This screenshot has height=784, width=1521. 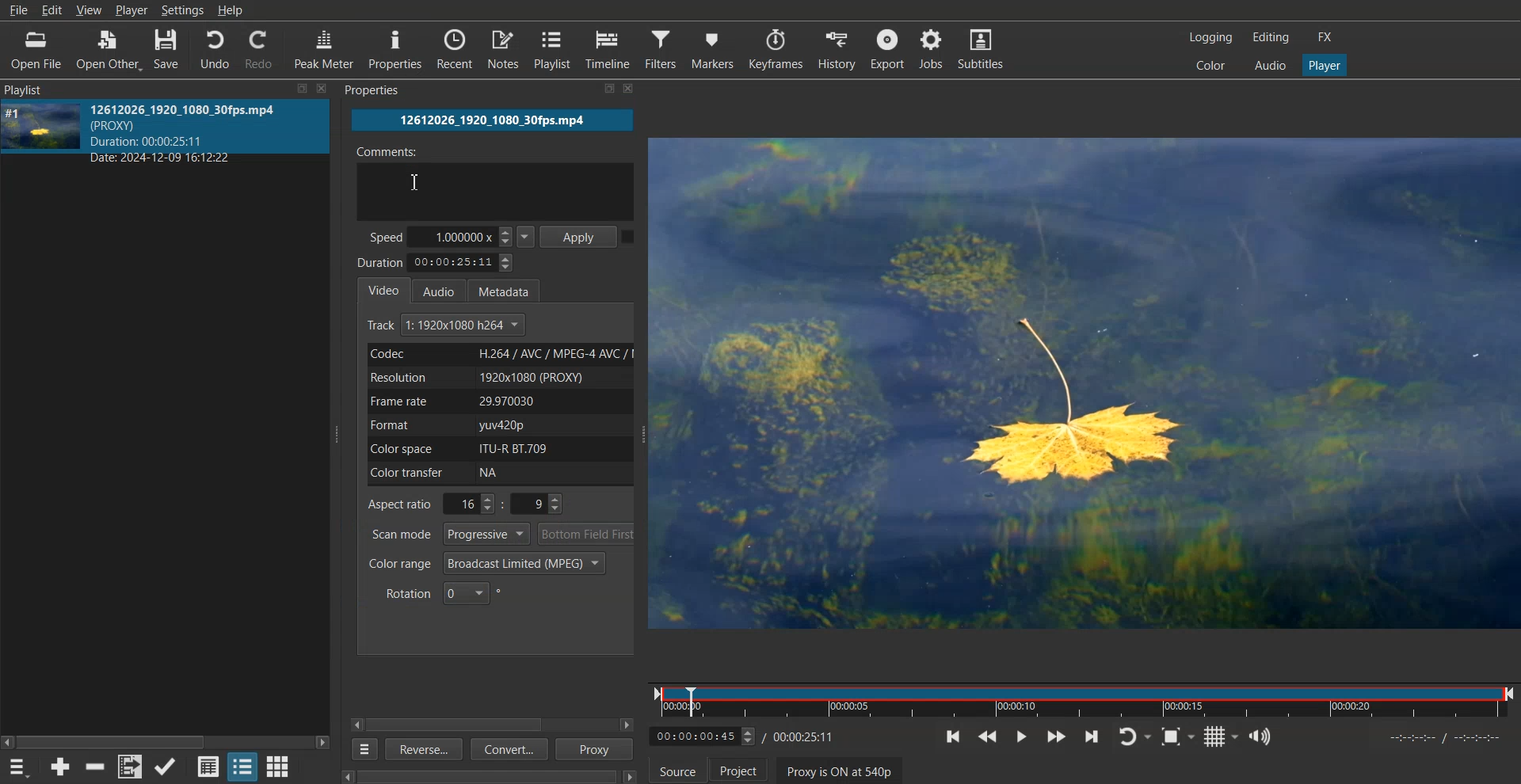 What do you see at coordinates (384, 289) in the screenshot?
I see `Video` at bounding box center [384, 289].